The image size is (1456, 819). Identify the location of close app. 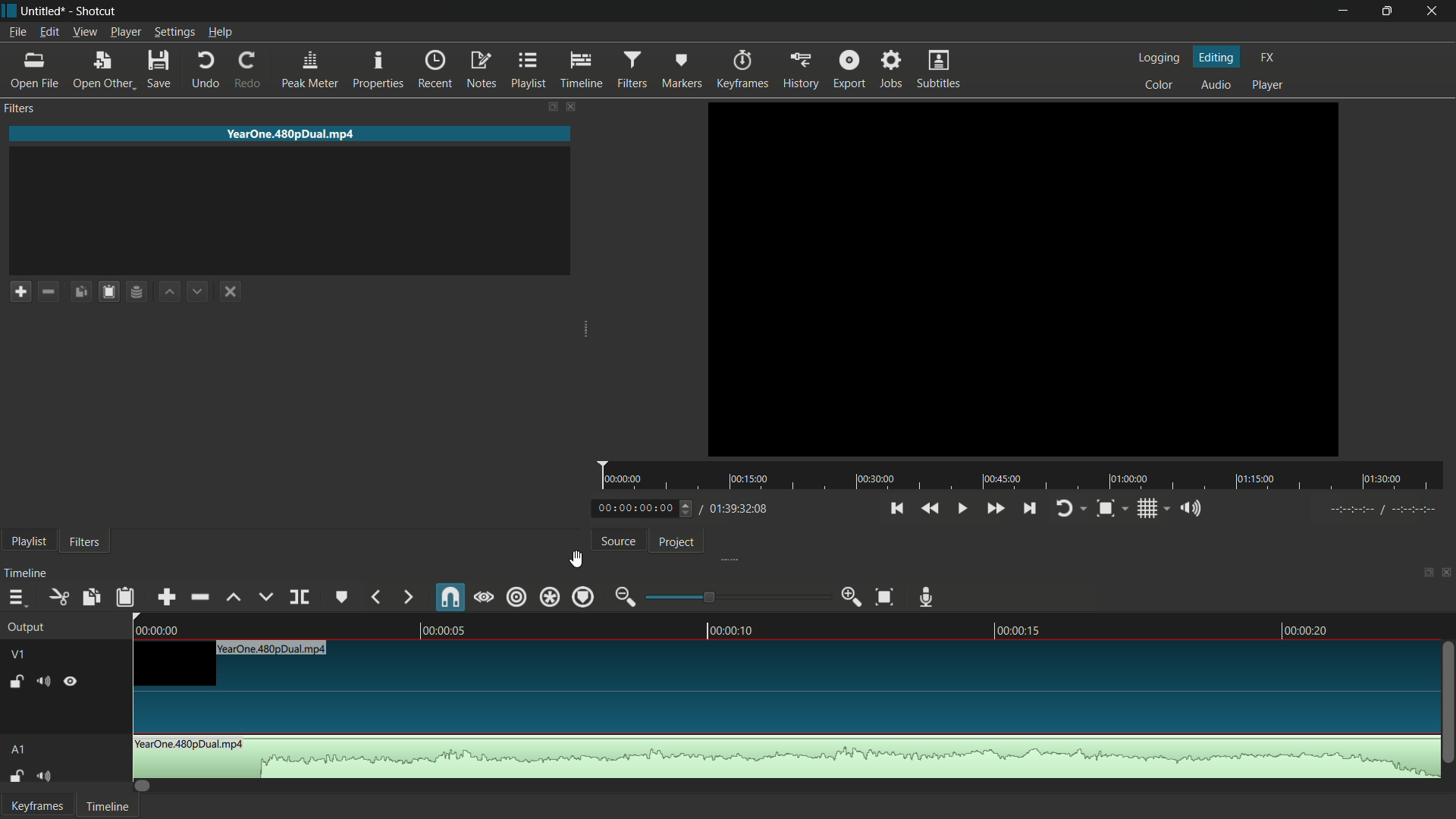
(1434, 11).